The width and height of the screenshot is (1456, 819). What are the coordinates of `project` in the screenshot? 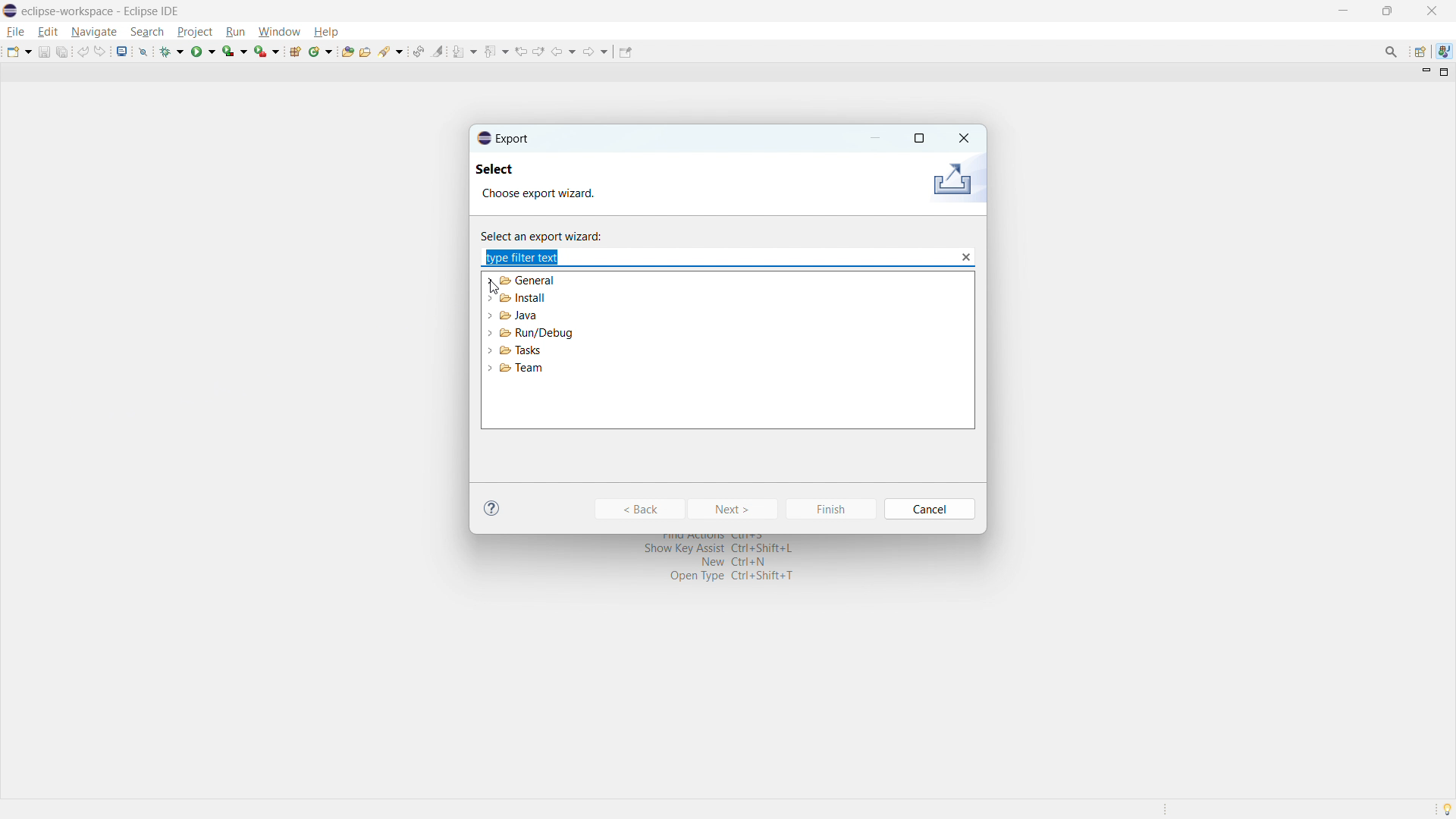 It's located at (194, 31).